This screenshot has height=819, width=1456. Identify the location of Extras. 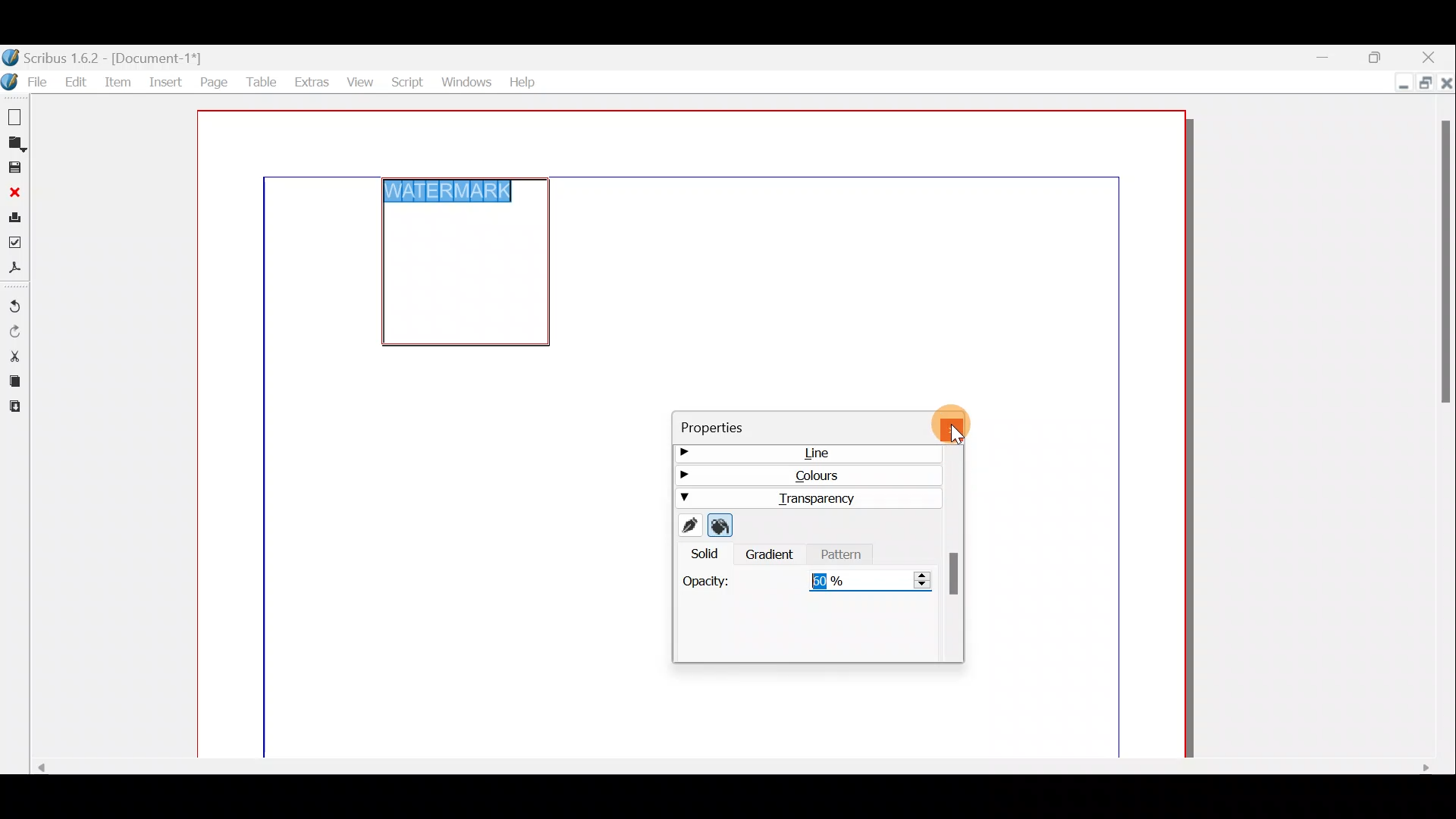
(310, 83).